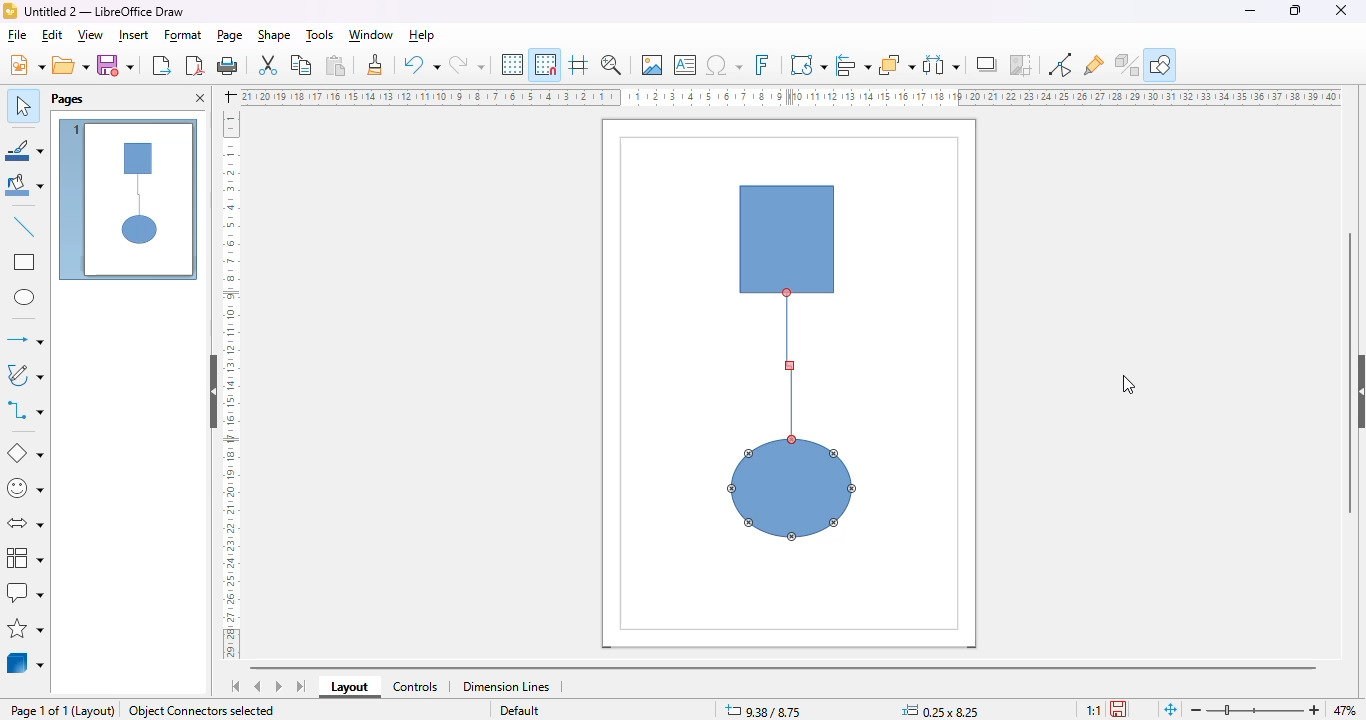 The width and height of the screenshot is (1366, 720). What do you see at coordinates (1059, 65) in the screenshot?
I see `show gluepoint functions` at bounding box center [1059, 65].